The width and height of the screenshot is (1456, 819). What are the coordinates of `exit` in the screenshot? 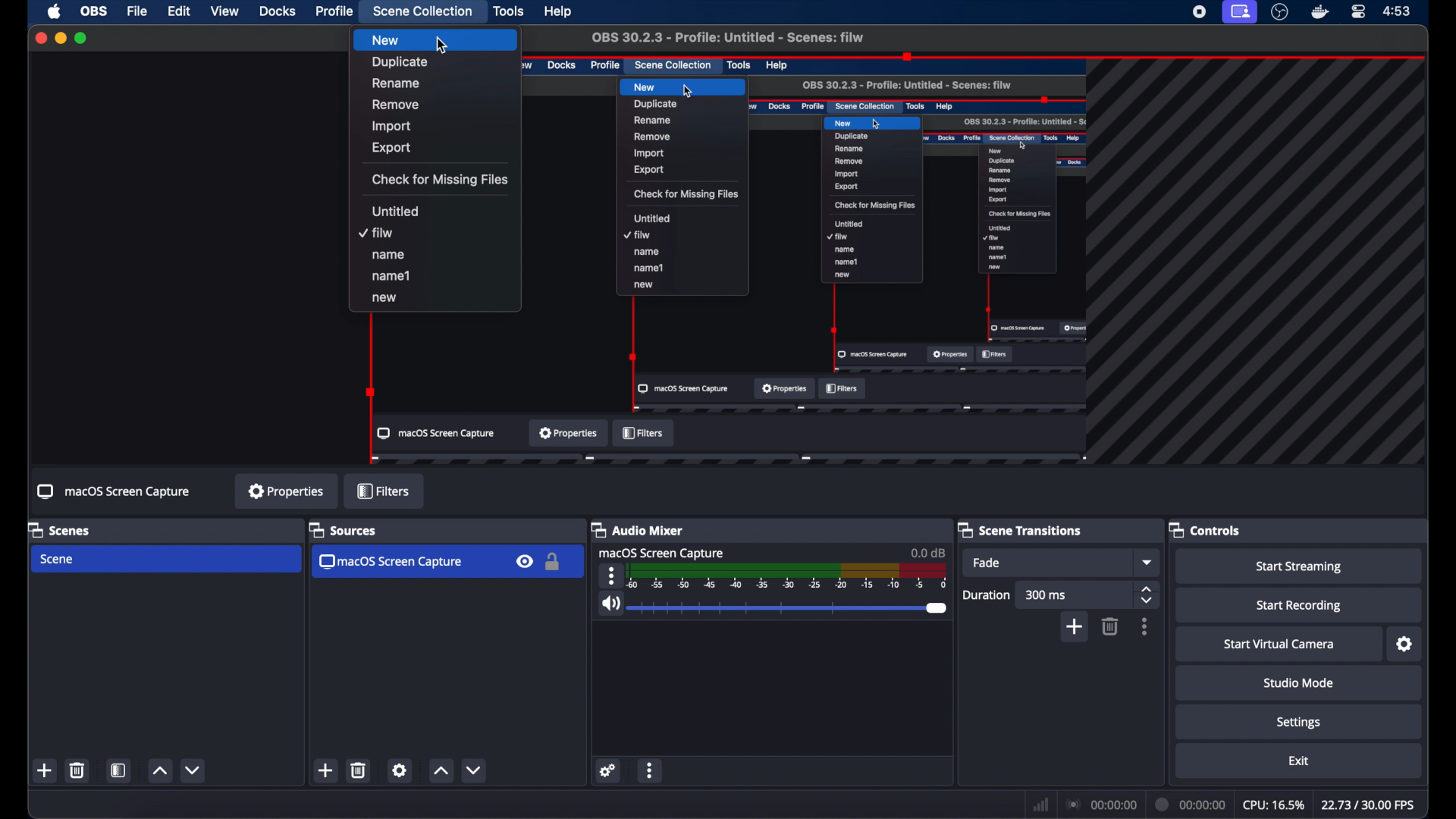 It's located at (1299, 764).